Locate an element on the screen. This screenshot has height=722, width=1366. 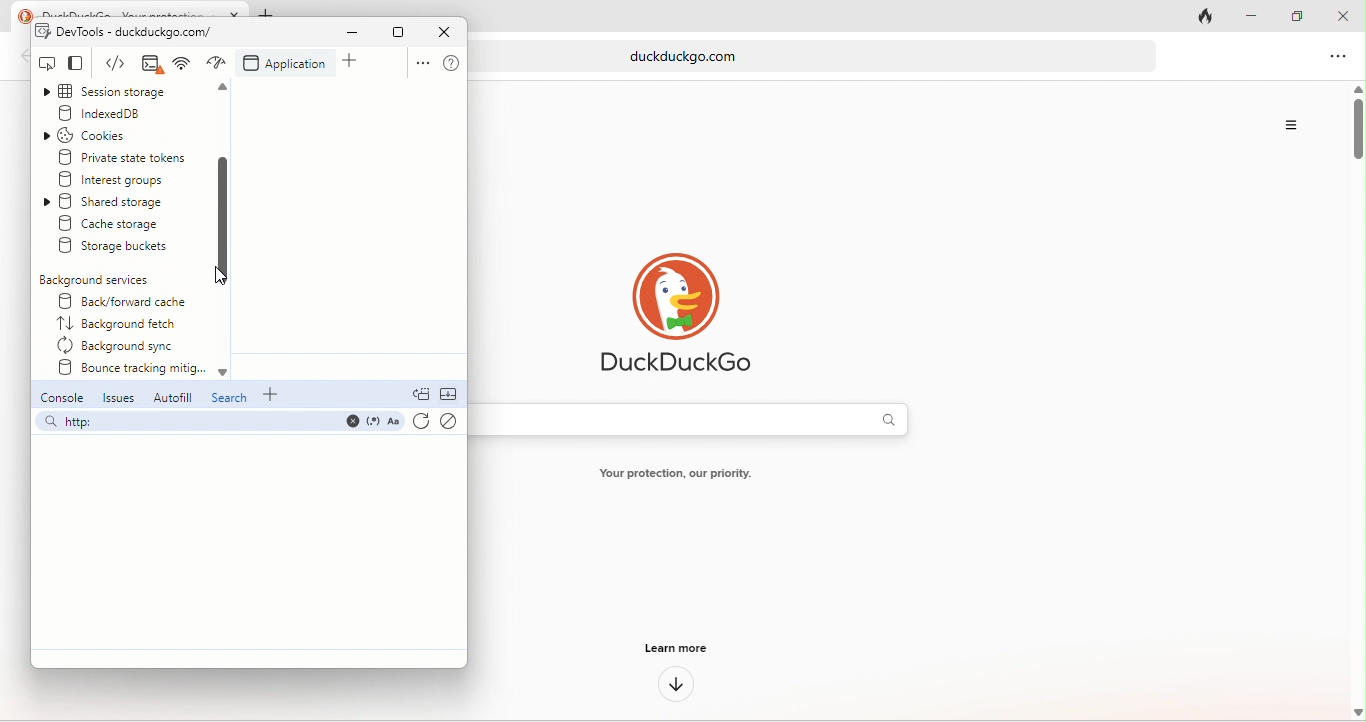
interest groups is located at coordinates (126, 179).